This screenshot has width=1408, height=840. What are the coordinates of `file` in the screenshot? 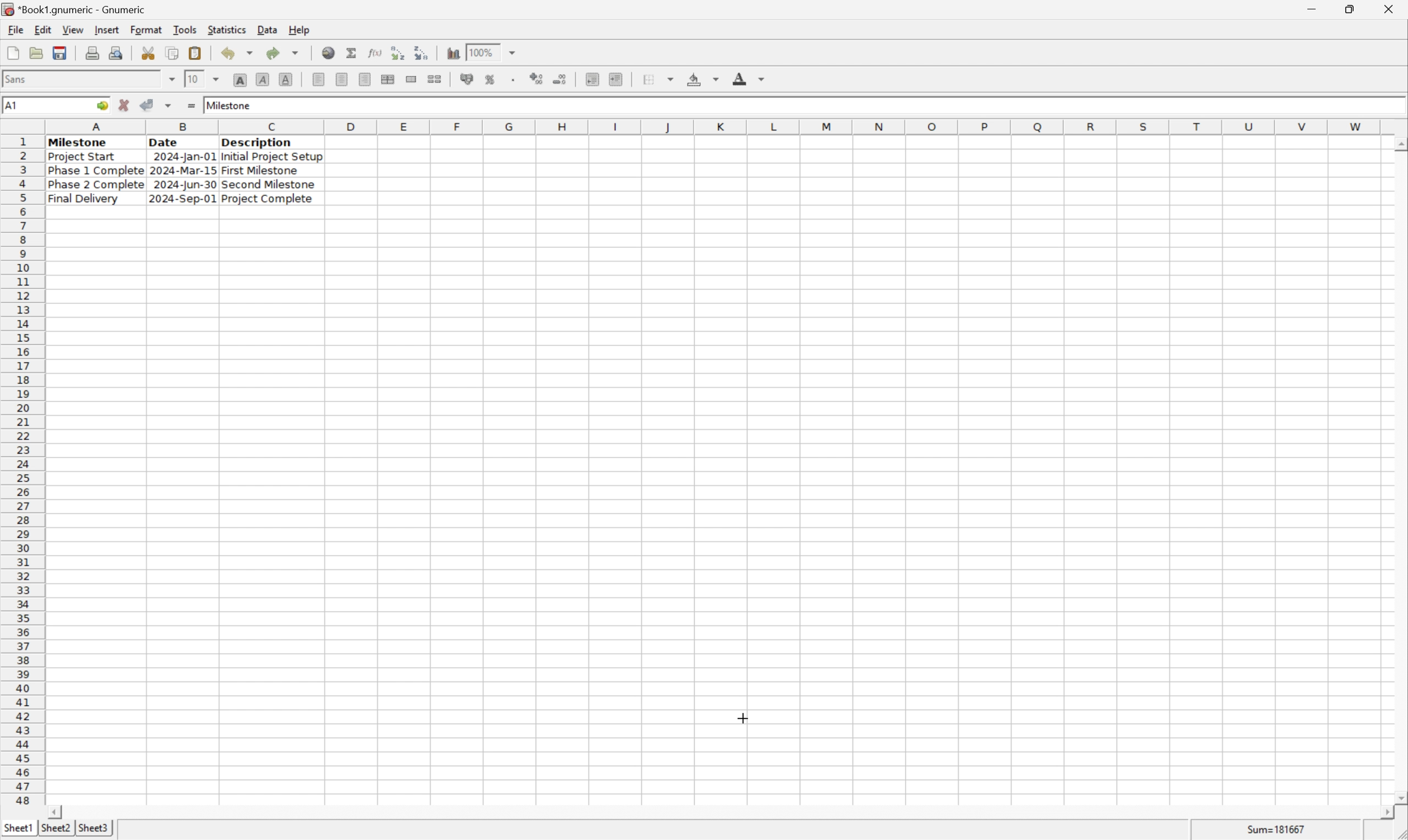 It's located at (15, 30).